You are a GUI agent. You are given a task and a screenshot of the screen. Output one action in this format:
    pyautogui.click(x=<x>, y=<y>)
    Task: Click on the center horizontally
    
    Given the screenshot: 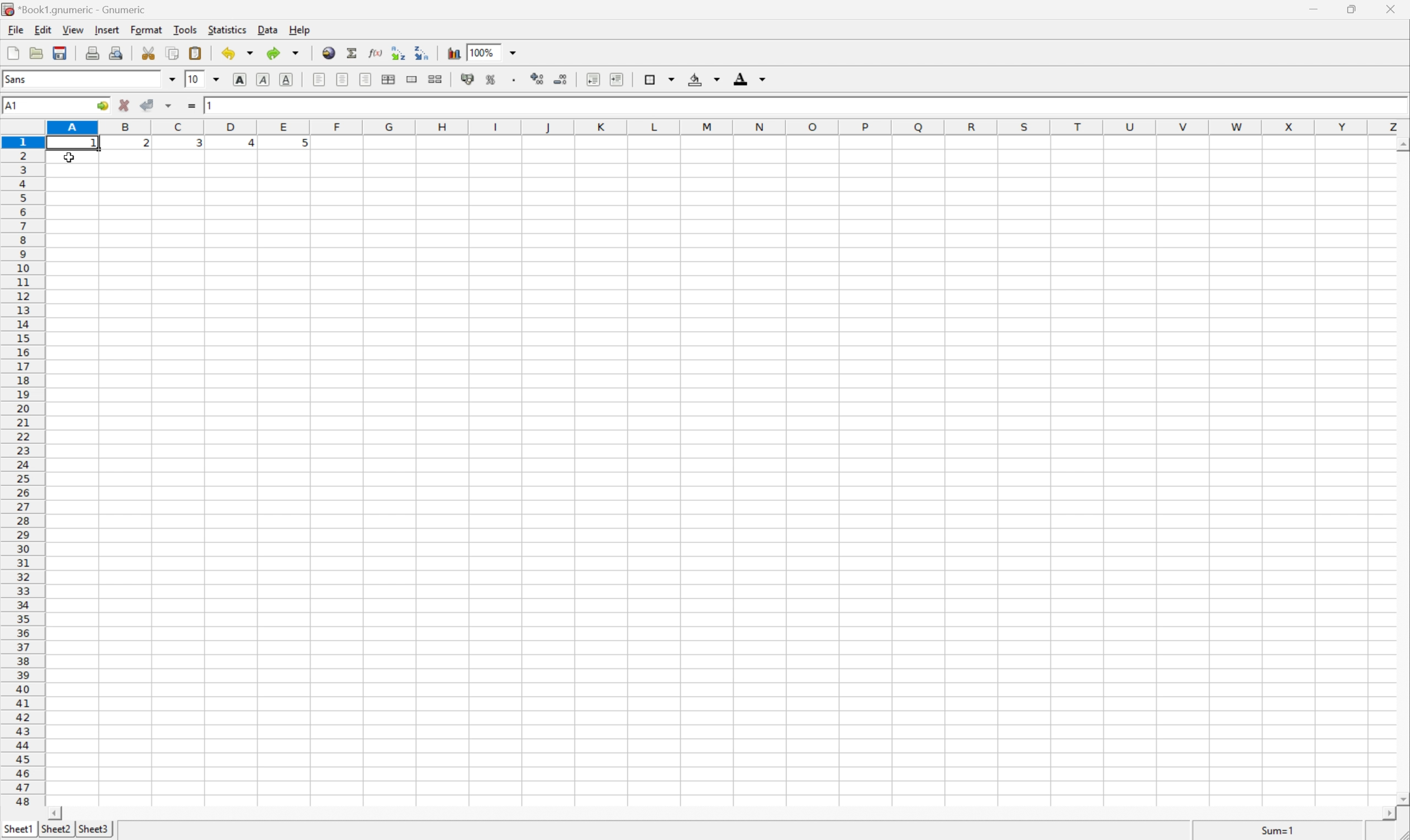 What is the action you would take?
    pyautogui.click(x=389, y=79)
    